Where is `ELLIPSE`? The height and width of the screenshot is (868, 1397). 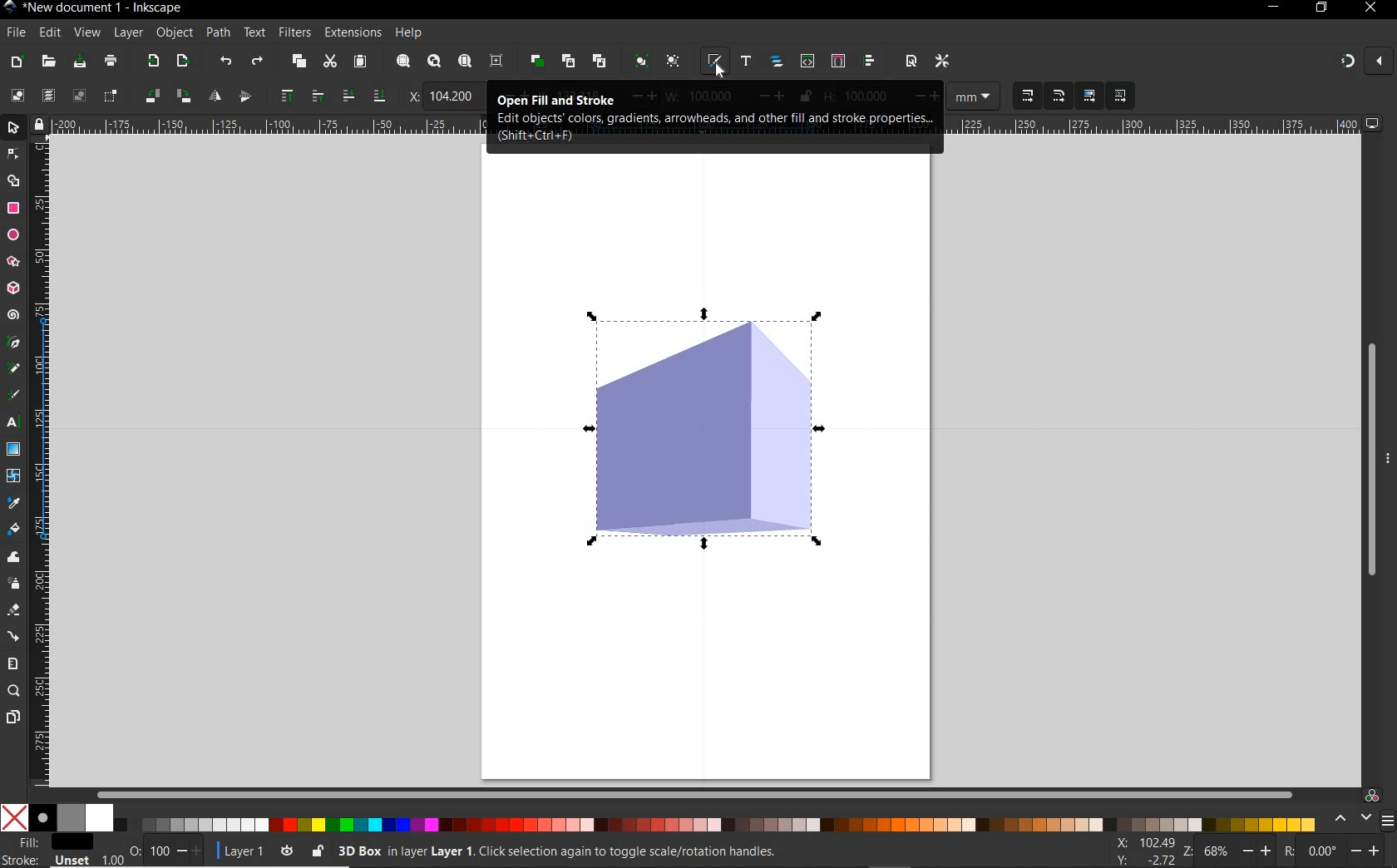
ELLIPSE is located at coordinates (12, 235).